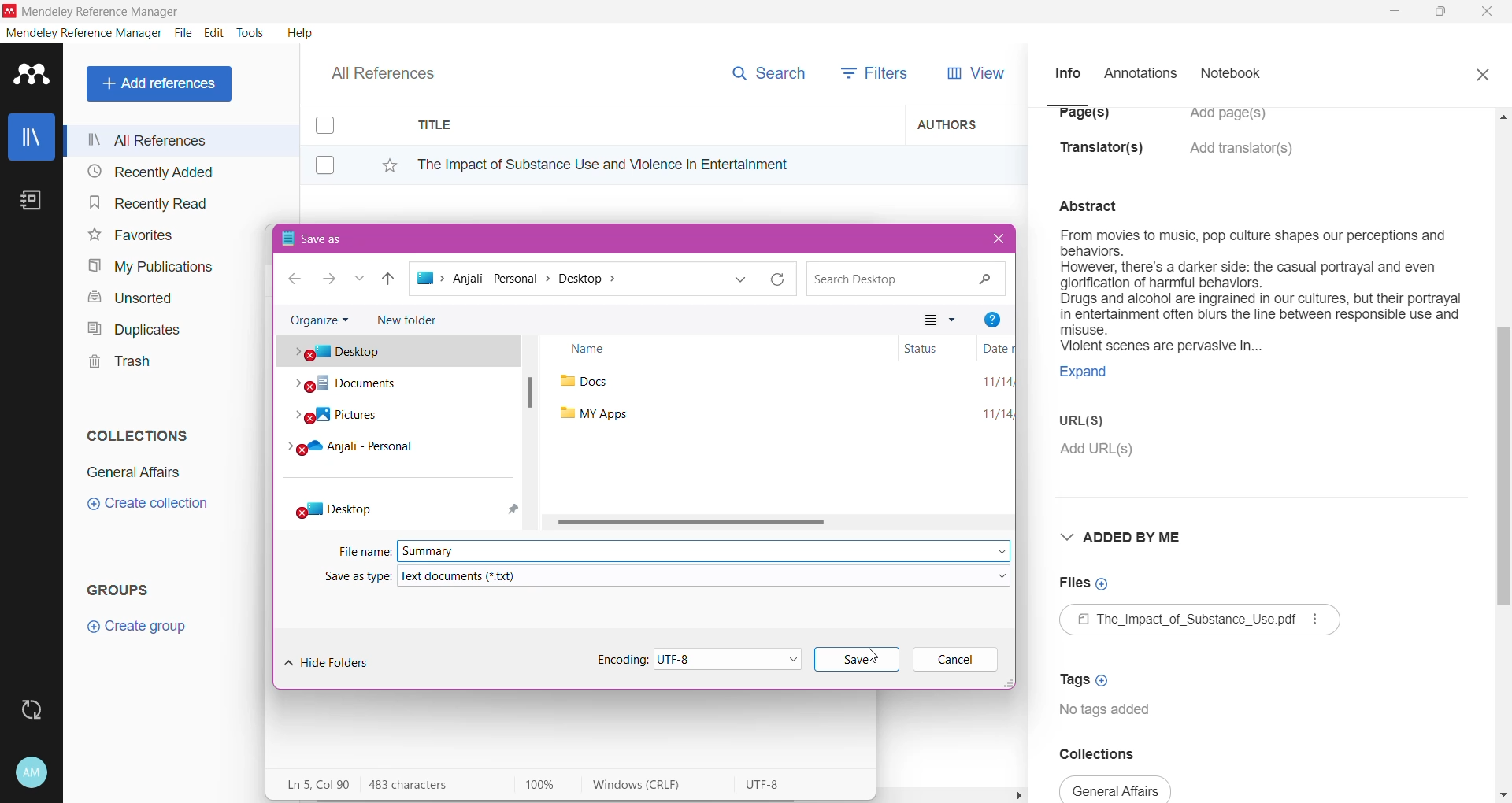  I want to click on Move up one path back, so click(391, 282).